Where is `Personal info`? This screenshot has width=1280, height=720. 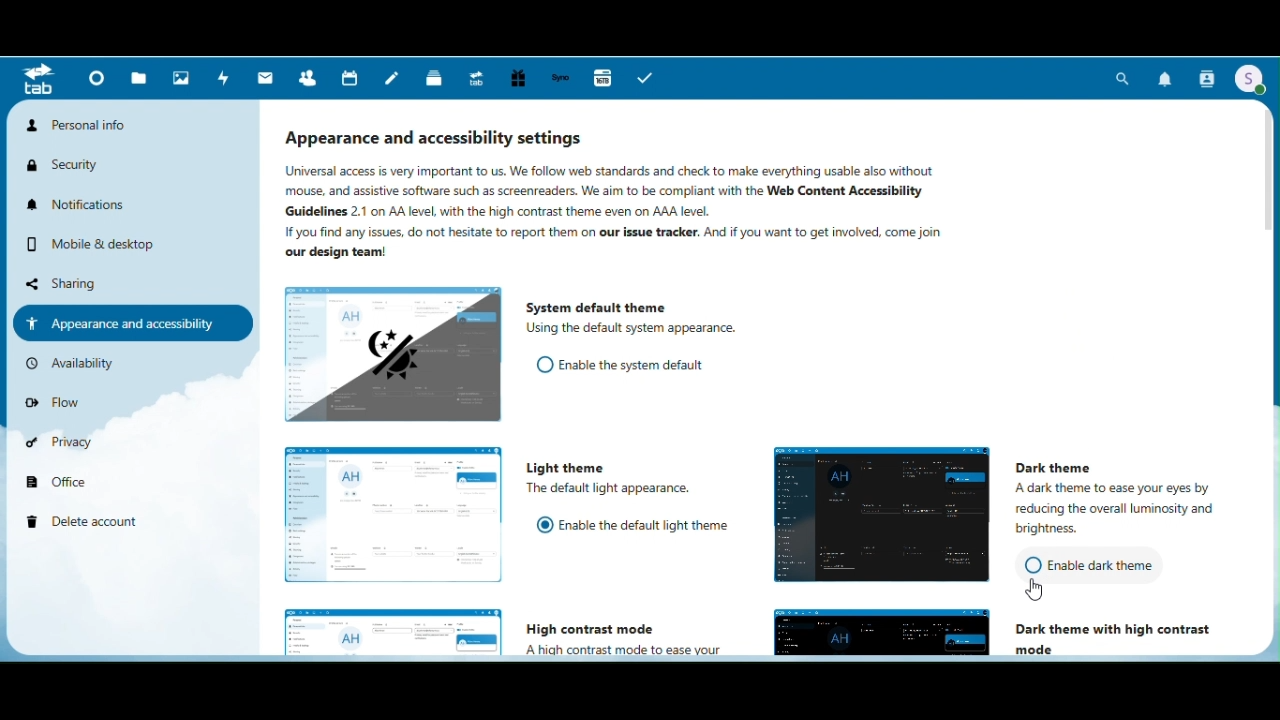
Personal info is located at coordinates (78, 126).